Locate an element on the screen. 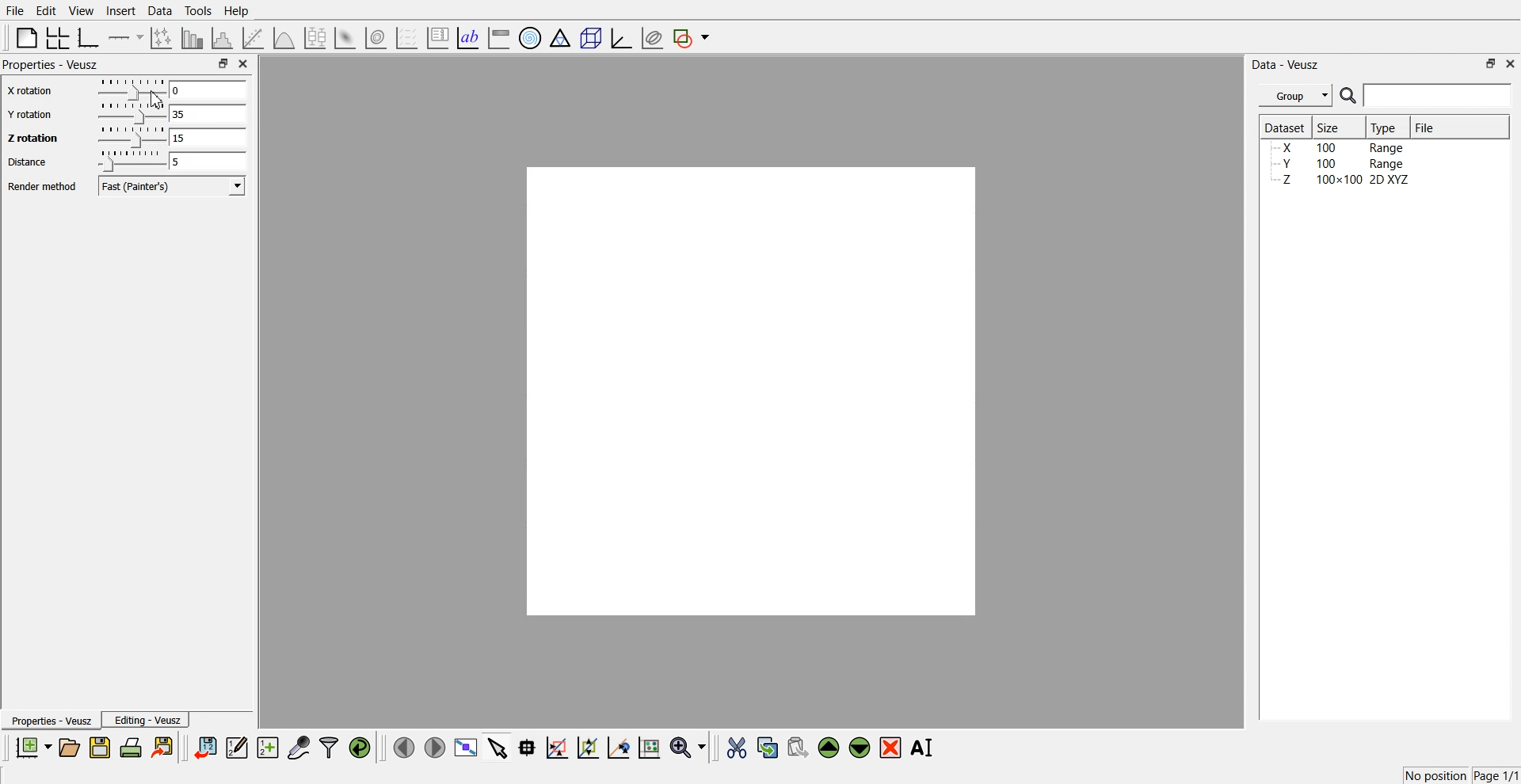 The width and height of the screenshot is (1521, 784). Print the document is located at coordinates (130, 747).